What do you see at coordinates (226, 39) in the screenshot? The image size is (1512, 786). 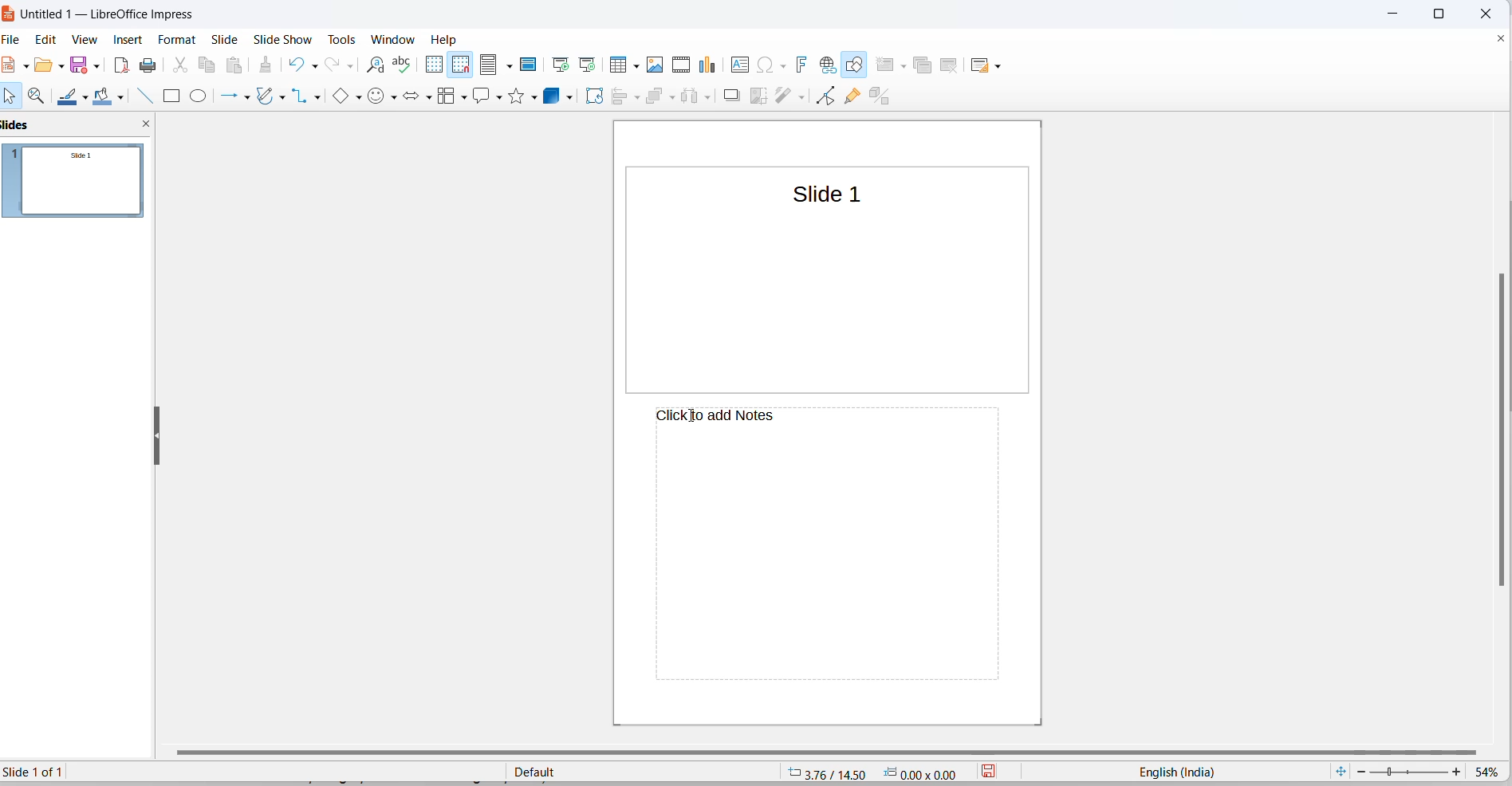 I see `slide` at bounding box center [226, 39].